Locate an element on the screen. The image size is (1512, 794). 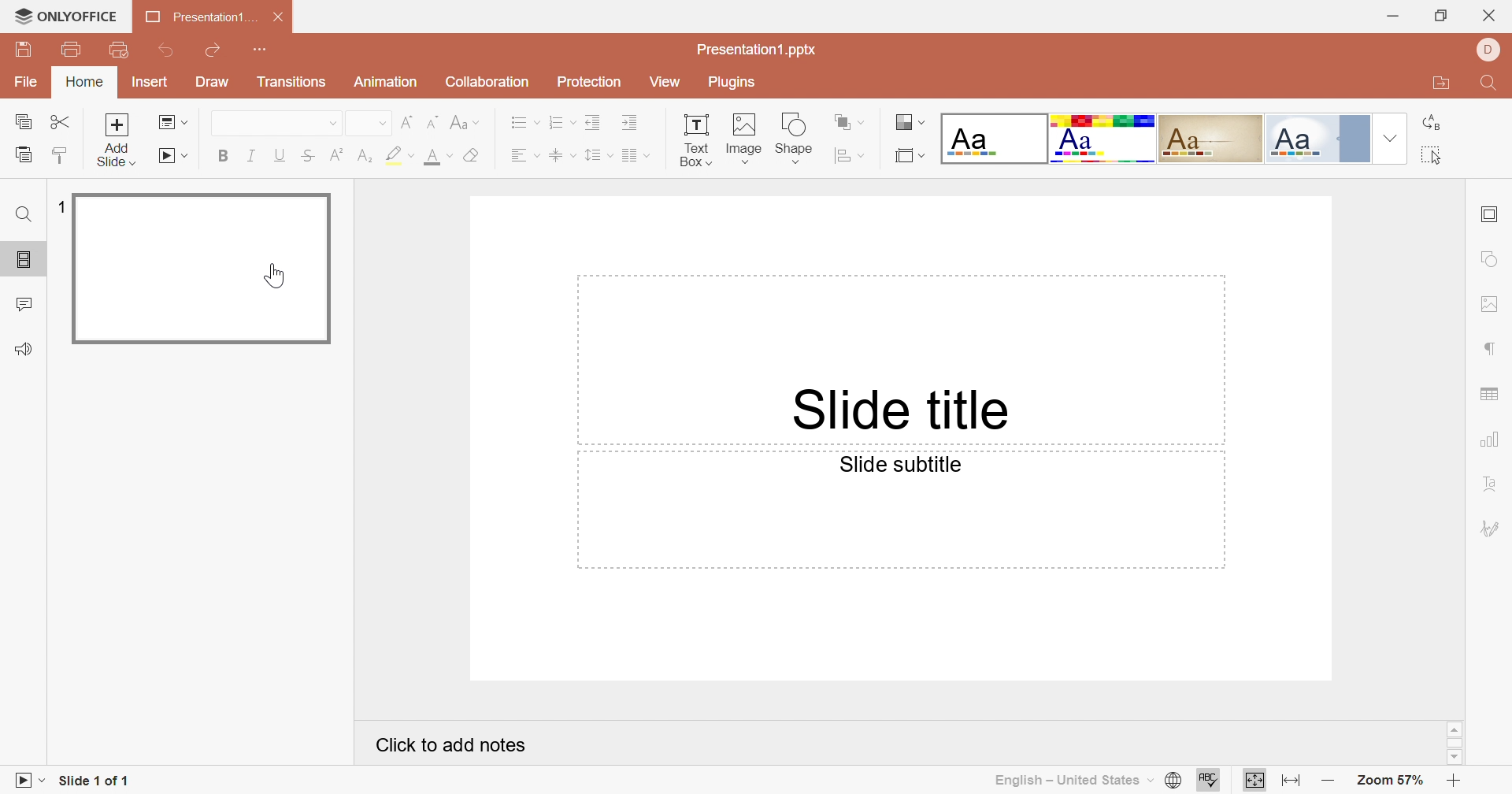
Start Slideshow is located at coordinates (163, 158).